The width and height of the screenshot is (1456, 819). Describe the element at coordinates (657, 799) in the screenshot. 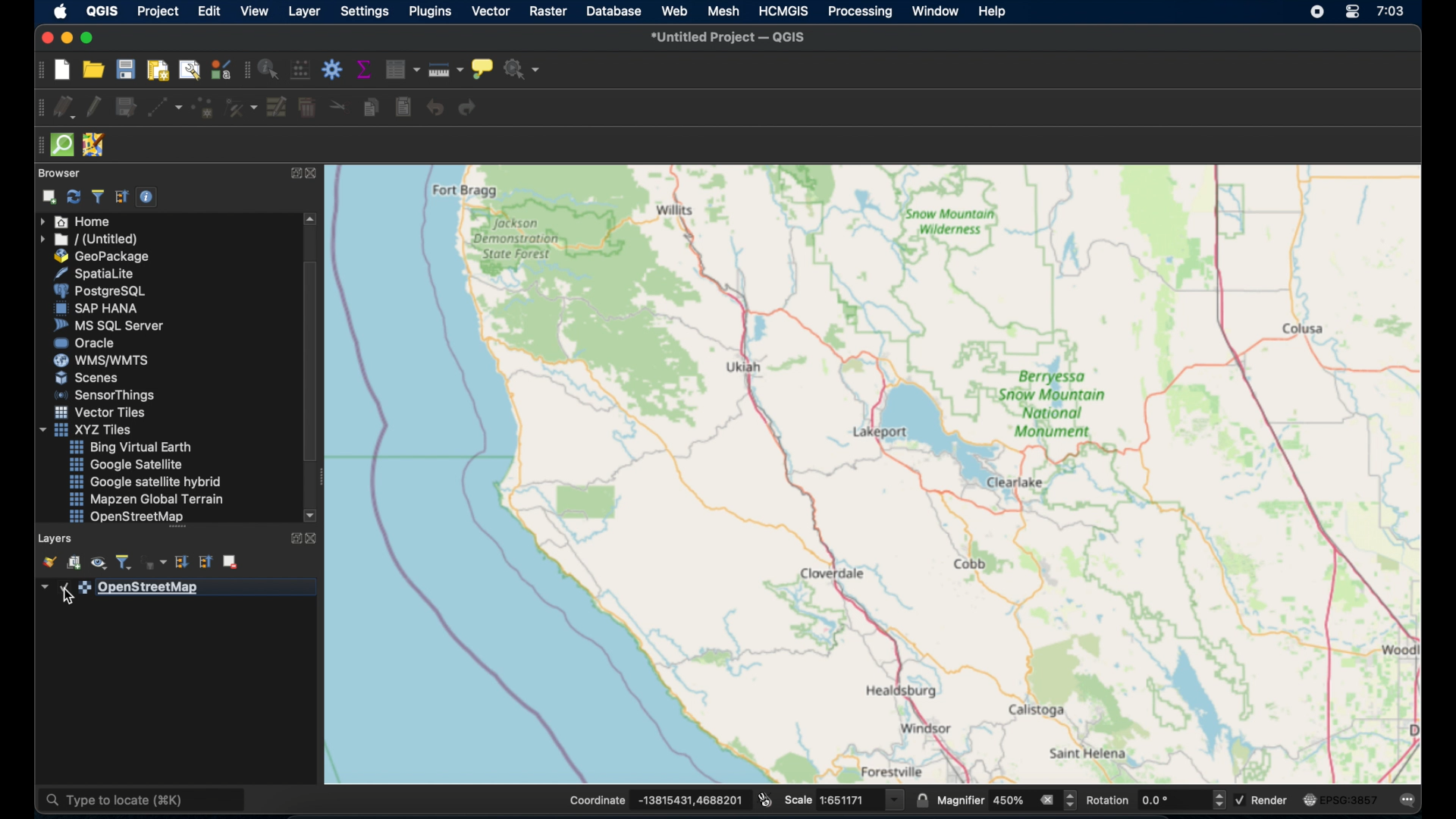

I see `coordinate` at that location.